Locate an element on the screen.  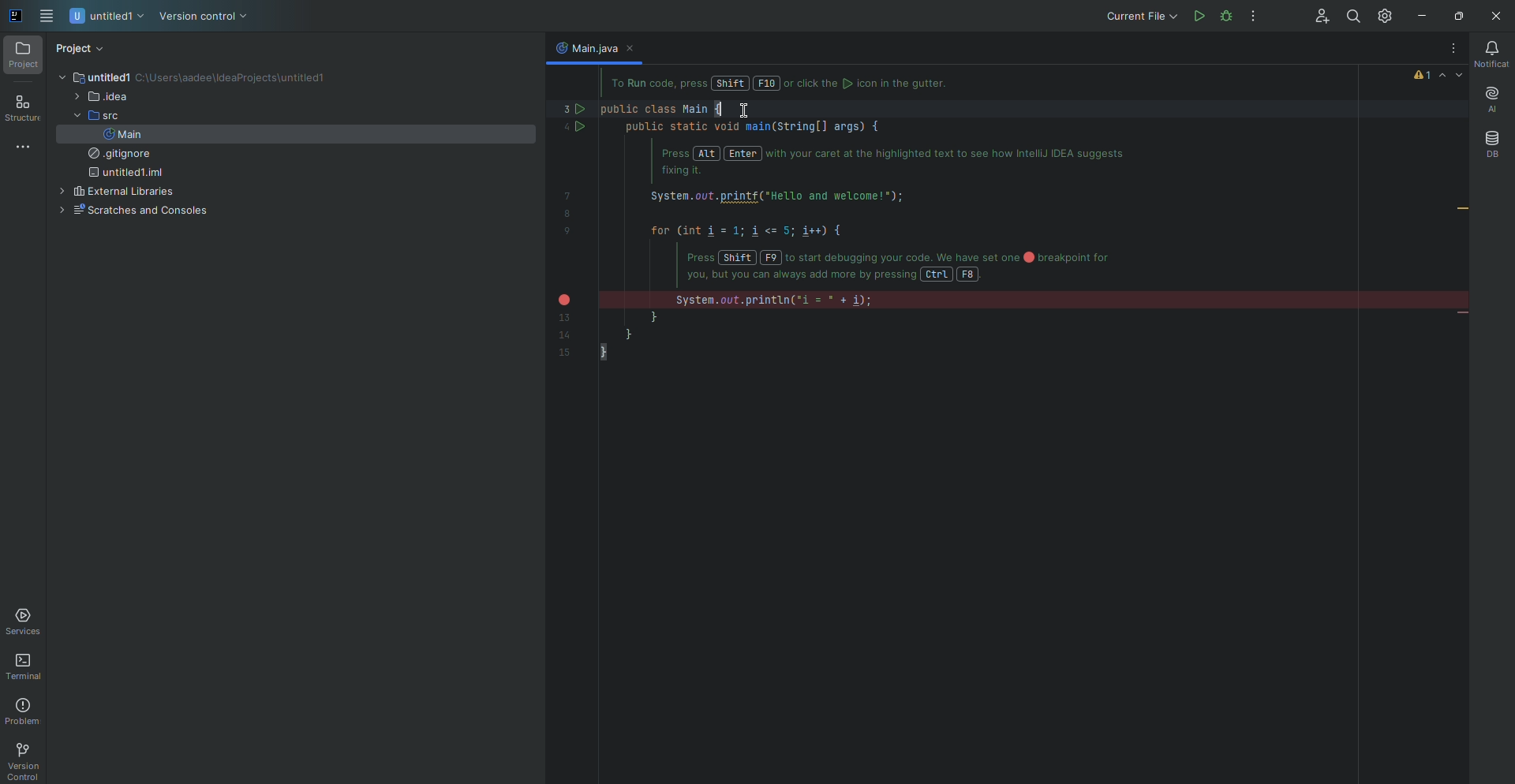
Options is located at coordinates (1254, 17).